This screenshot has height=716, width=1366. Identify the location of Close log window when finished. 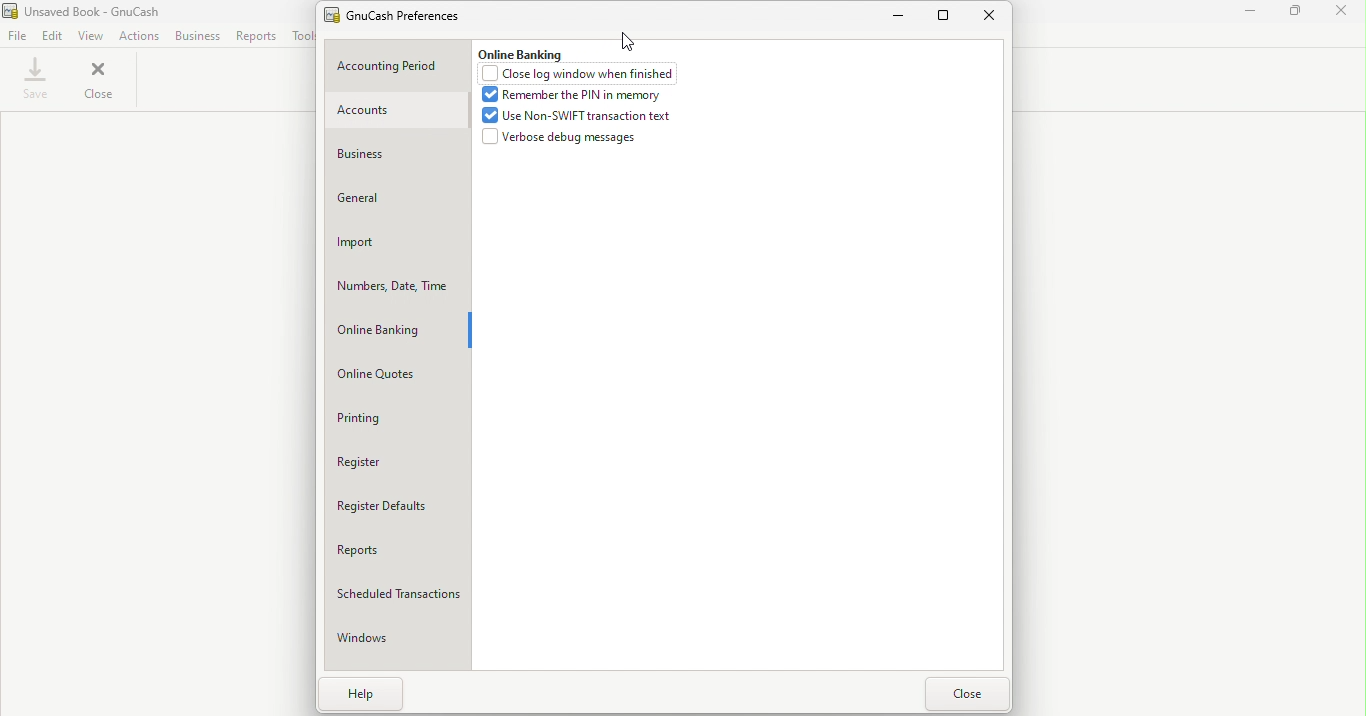
(583, 74).